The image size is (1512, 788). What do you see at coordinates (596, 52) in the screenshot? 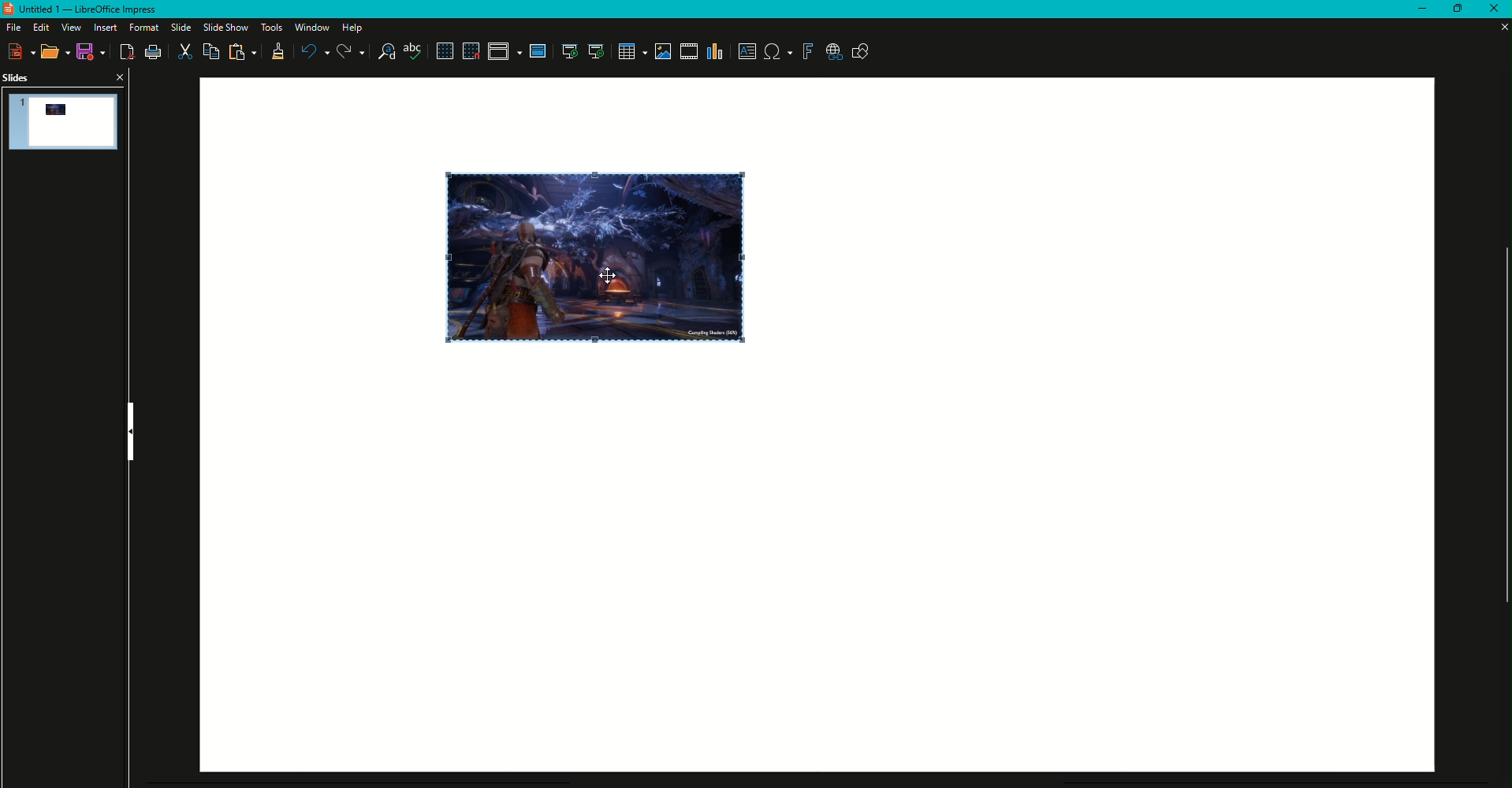
I see `Current Slide` at bounding box center [596, 52].